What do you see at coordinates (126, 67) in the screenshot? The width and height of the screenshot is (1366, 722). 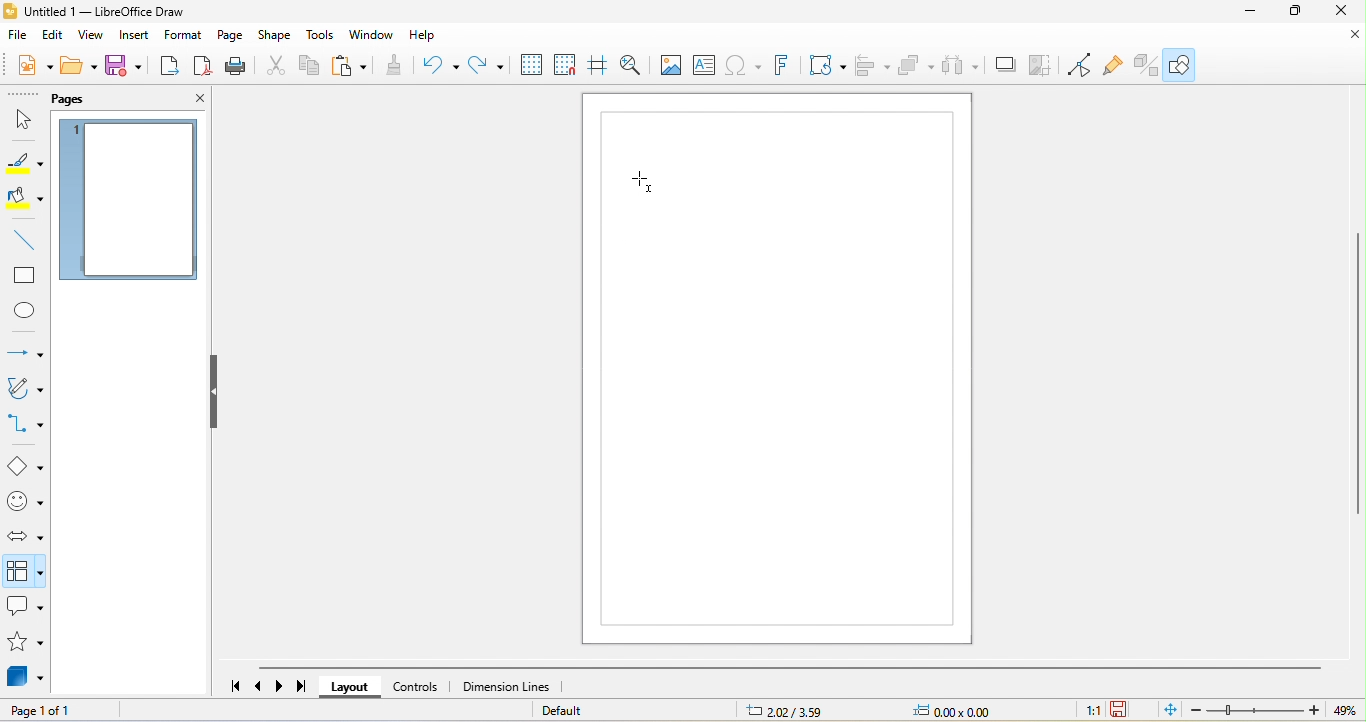 I see `save` at bounding box center [126, 67].